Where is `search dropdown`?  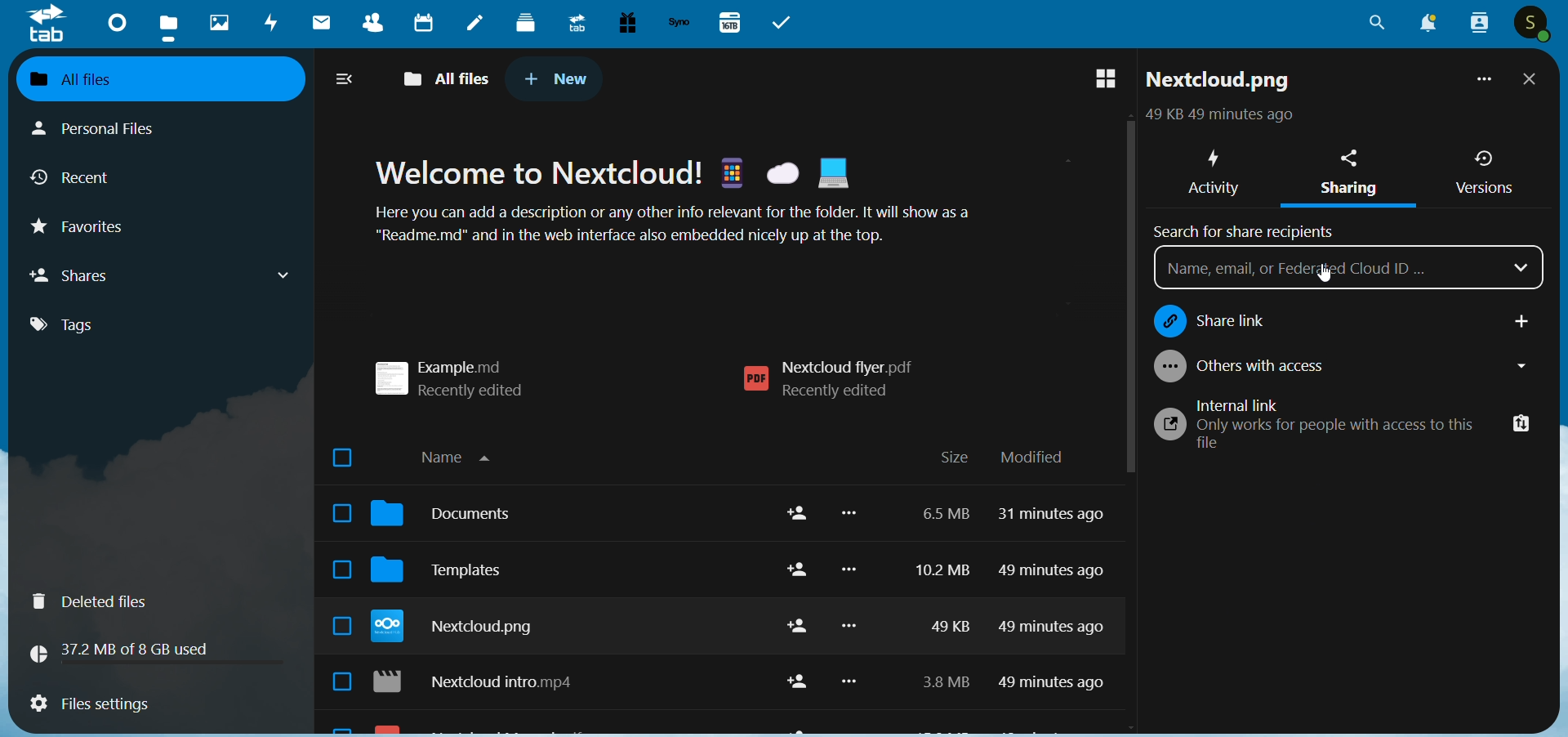 search dropdown is located at coordinates (1524, 268).